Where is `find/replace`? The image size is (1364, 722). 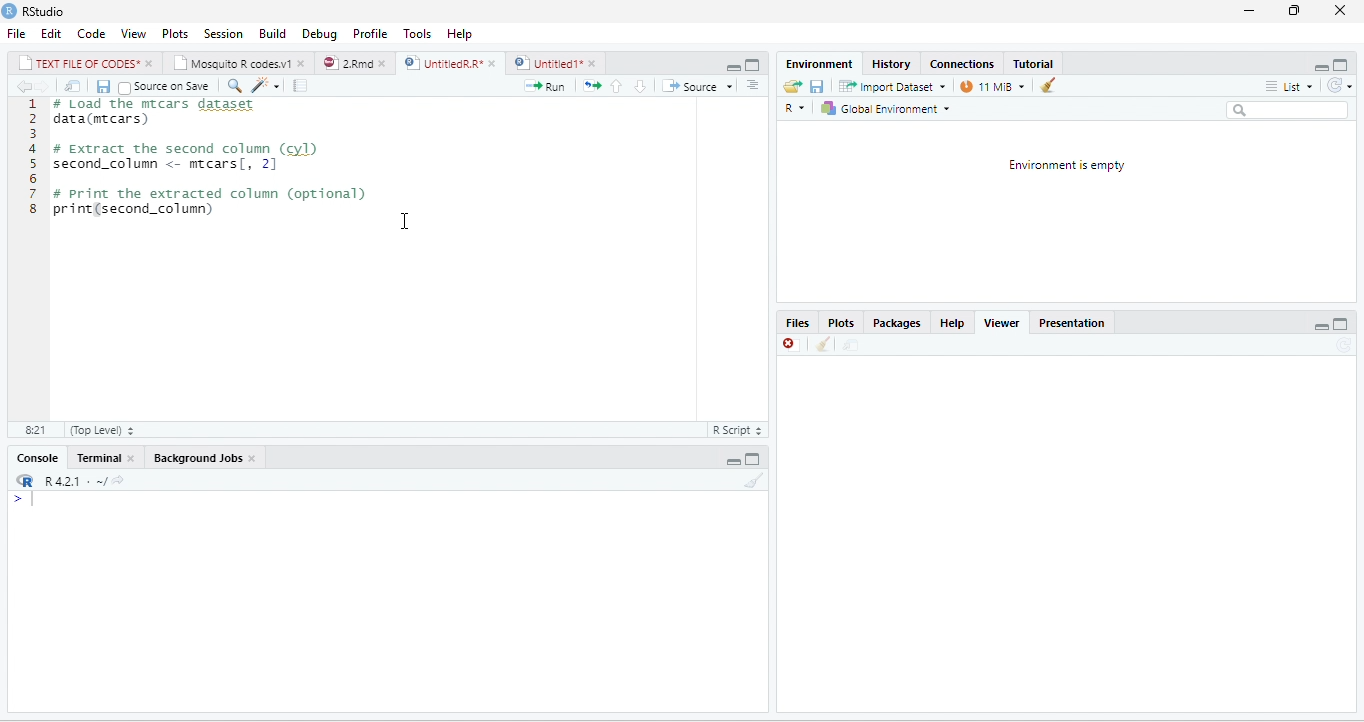 find/replace is located at coordinates (233, 85).